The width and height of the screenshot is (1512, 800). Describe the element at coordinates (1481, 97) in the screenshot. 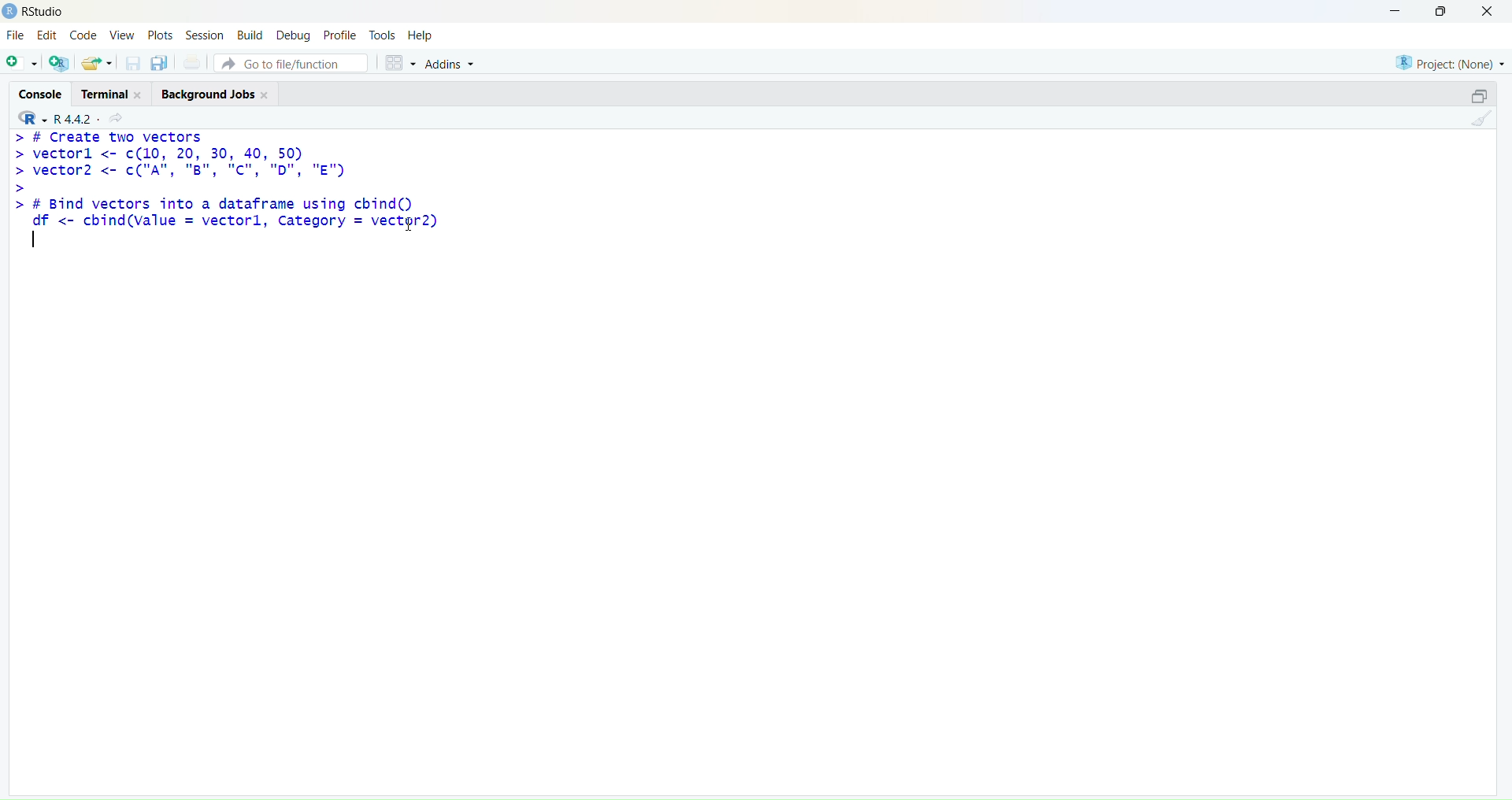

I see `minimize` at that location.